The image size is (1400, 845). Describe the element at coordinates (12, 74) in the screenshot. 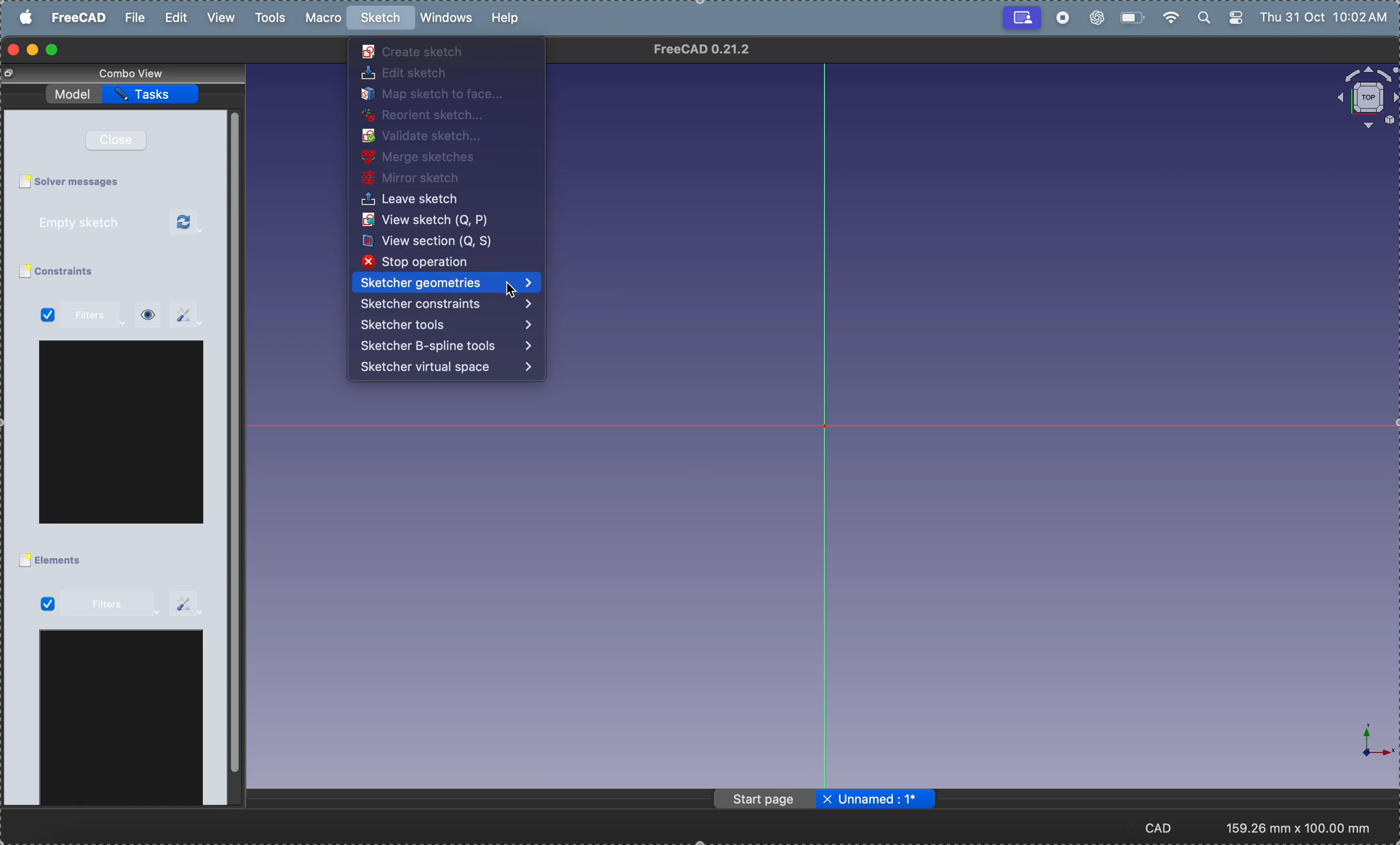

I see `Change view` at that location.